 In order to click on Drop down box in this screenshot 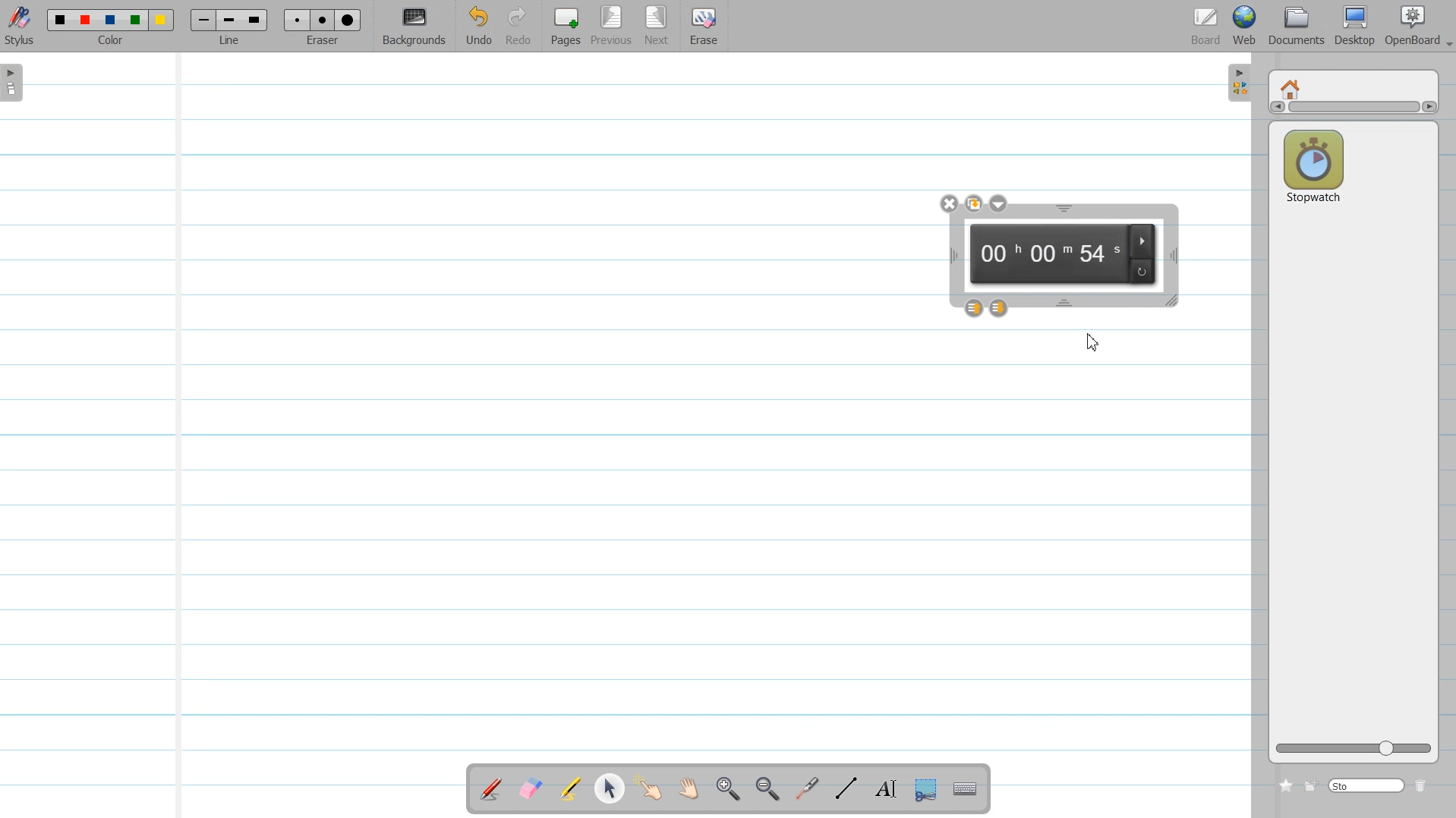, I will do `click(1447, 38)`.